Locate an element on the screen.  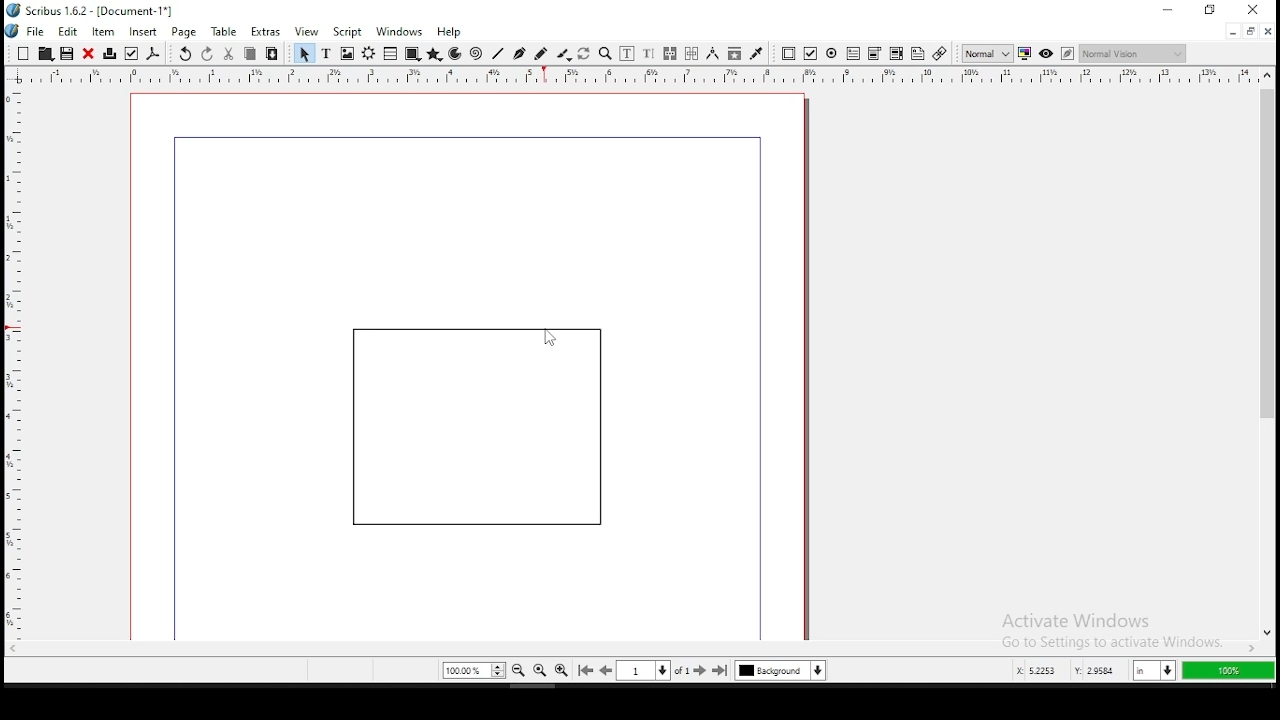
select current layer is located at coordinates (780, 670).